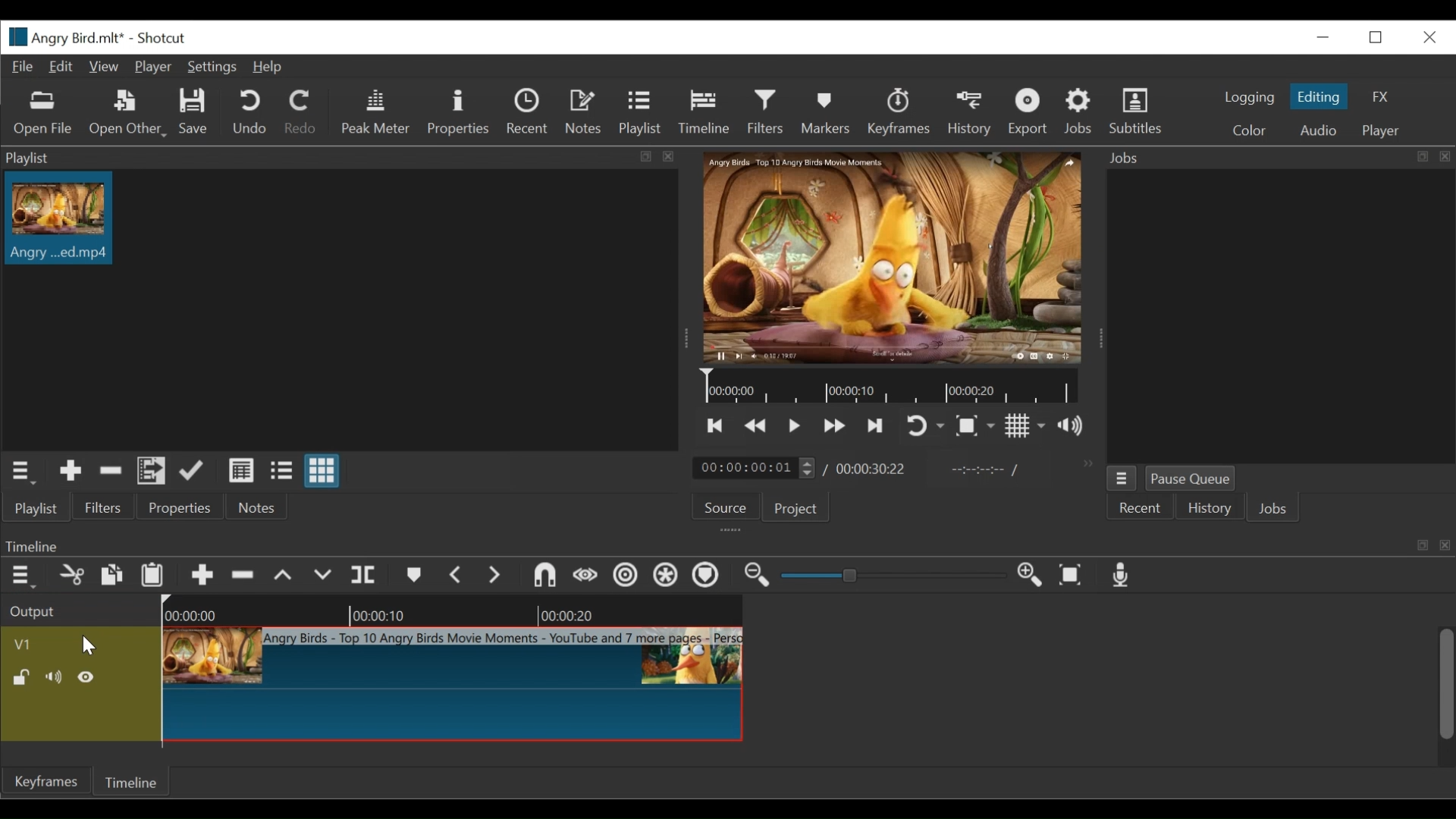  Describe the element at coordinates (1144, 510) in the screenshot. I see `Recent` at that location.